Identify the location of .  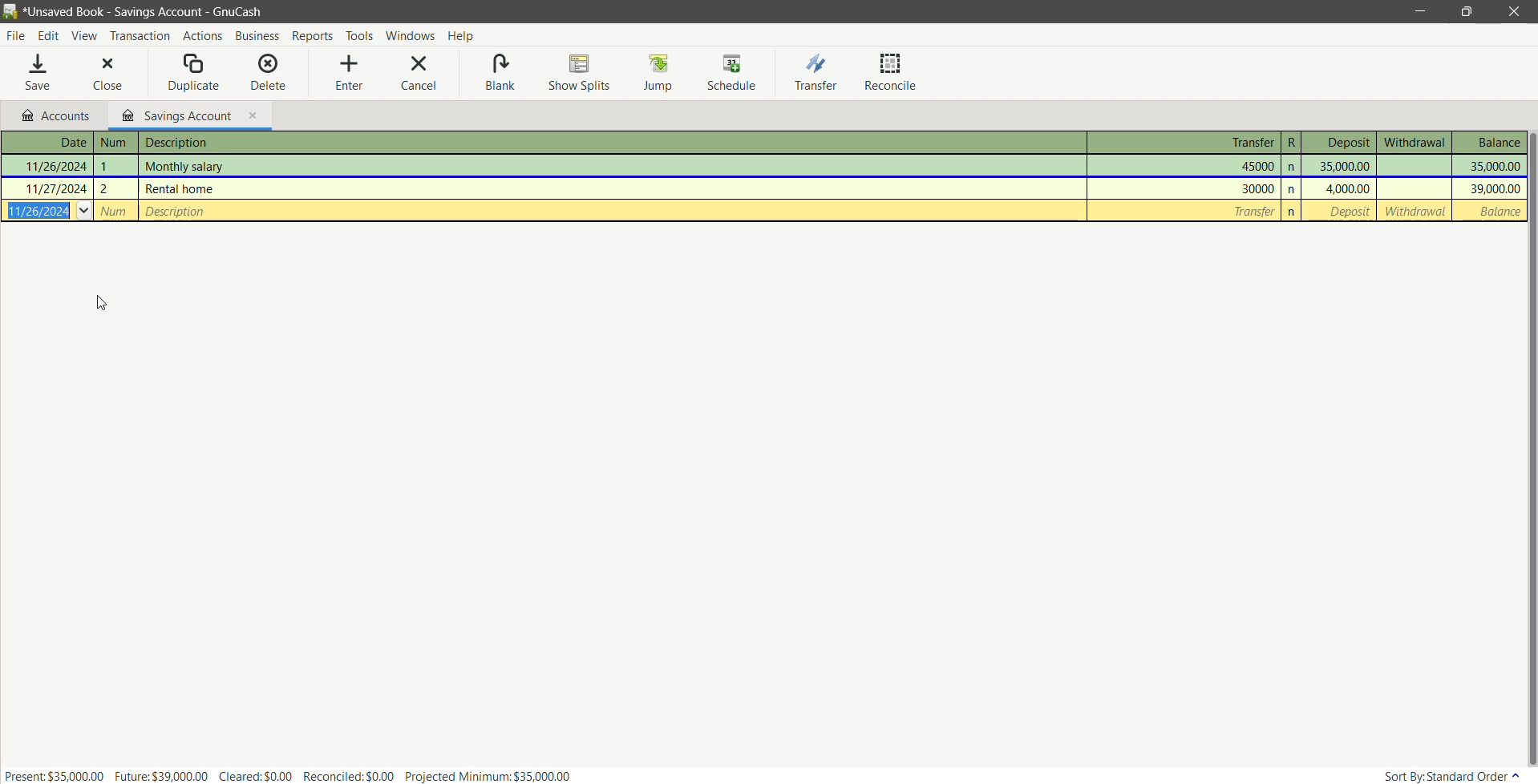
(53, 775).